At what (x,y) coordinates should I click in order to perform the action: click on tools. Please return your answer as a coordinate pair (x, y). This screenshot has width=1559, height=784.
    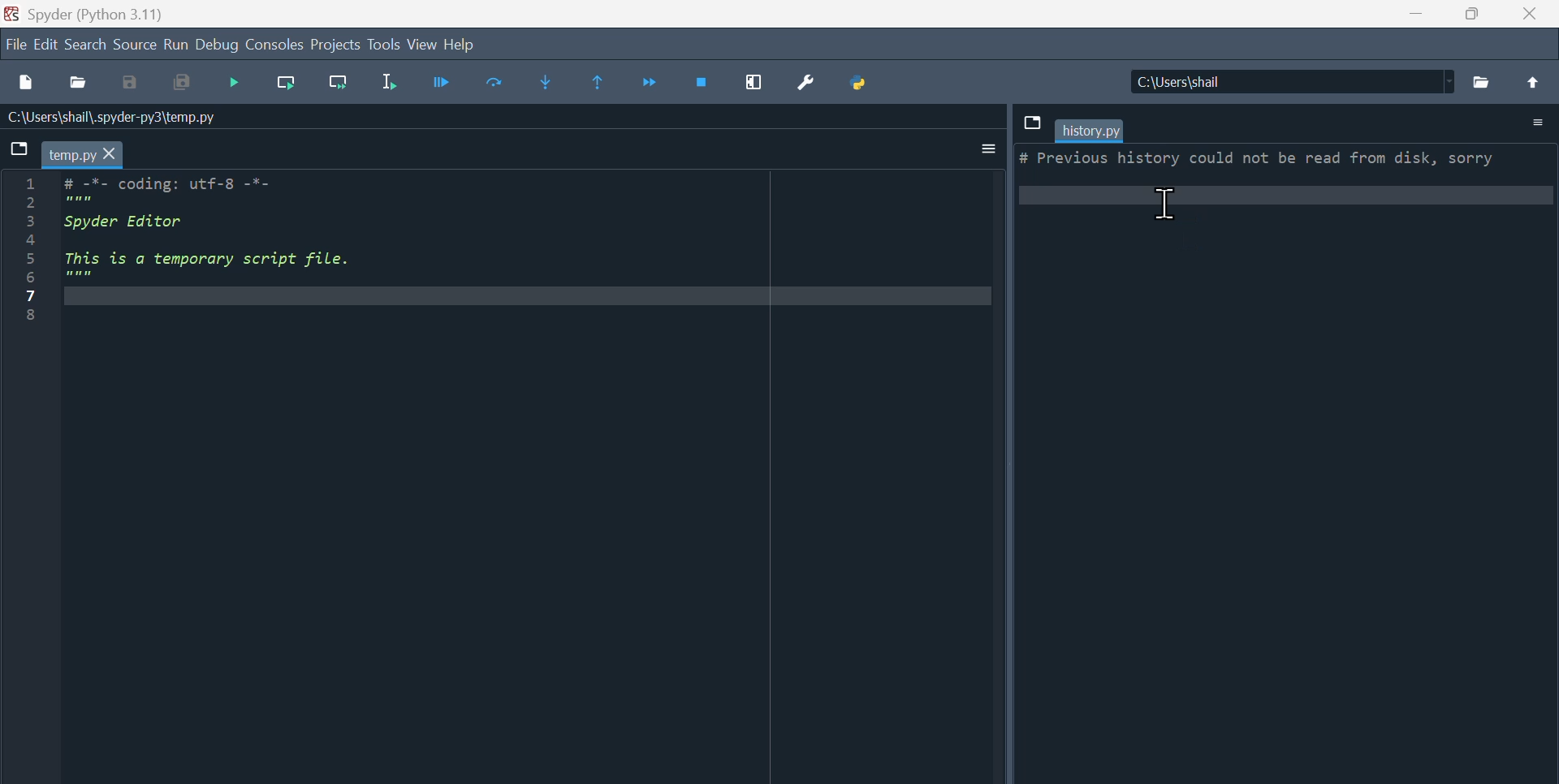
    Looking at the image, I should click on (385, 45).